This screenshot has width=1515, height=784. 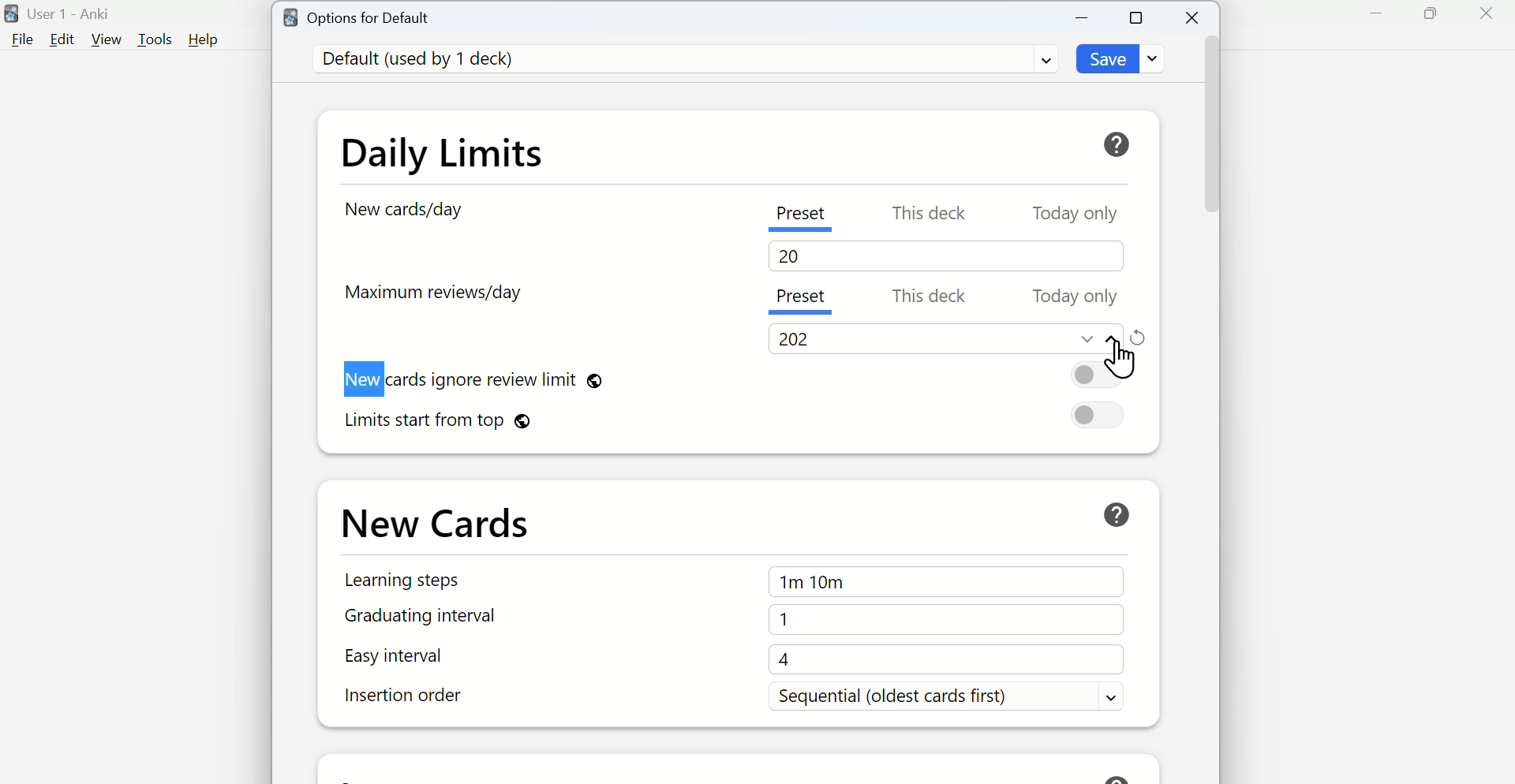 What do you see at coordinates (421, 615) in the screenshot?
I see `Graduating interval` at bounding box center [421, 615].